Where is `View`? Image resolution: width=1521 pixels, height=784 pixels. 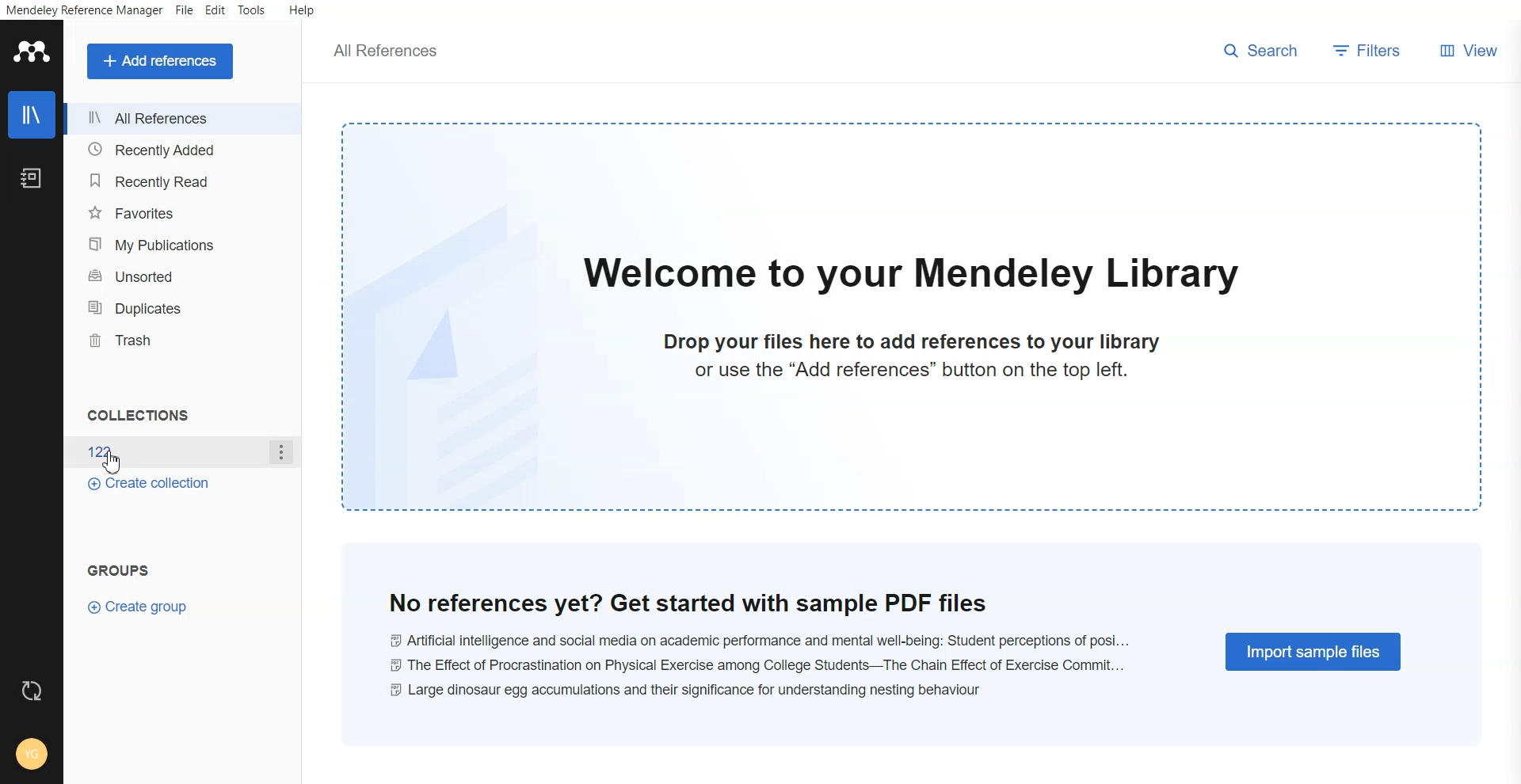 View is located at coordinates (1465, 49).